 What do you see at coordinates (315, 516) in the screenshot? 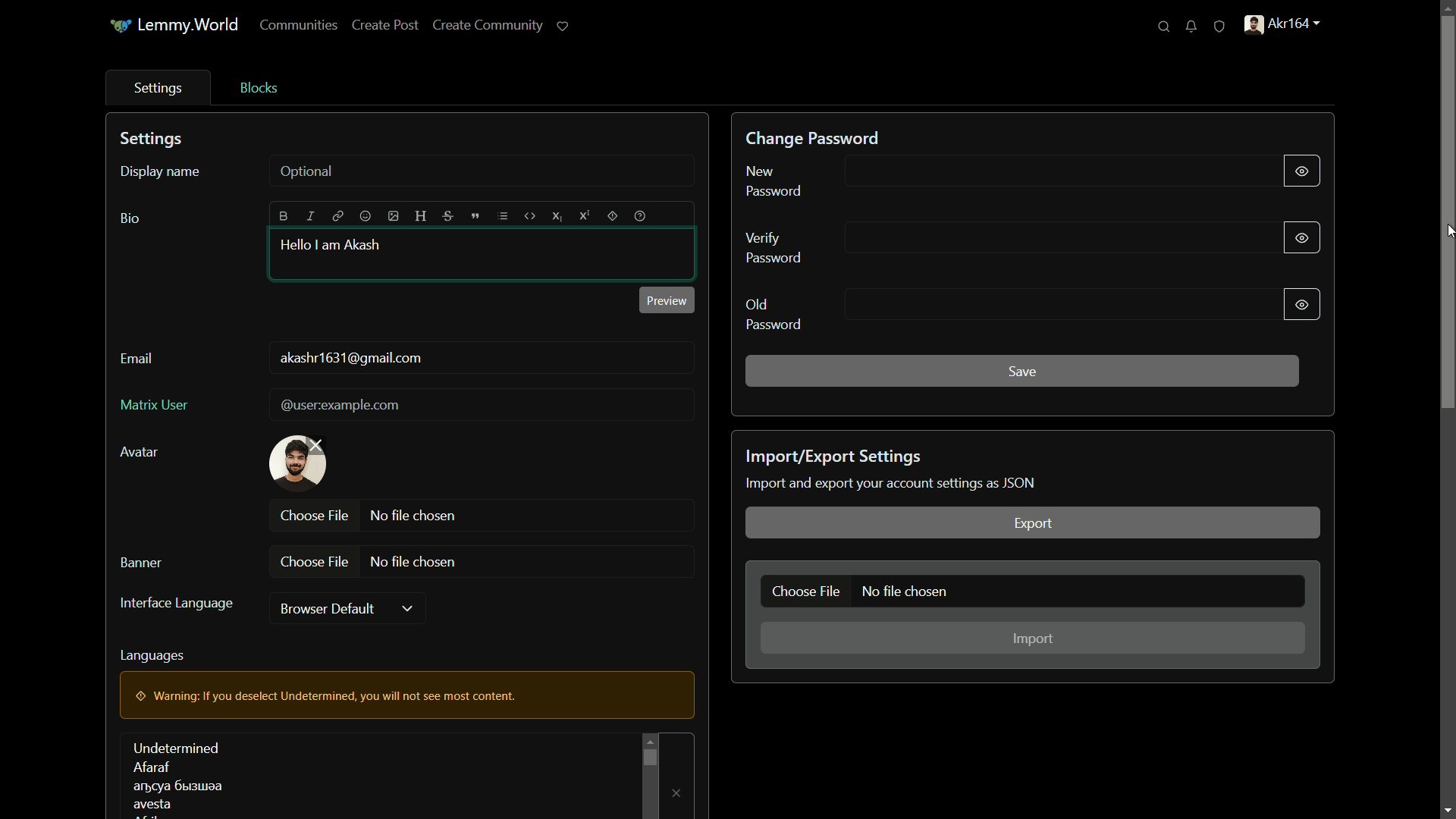
I see `choose file` at bounding box center [315, 516].